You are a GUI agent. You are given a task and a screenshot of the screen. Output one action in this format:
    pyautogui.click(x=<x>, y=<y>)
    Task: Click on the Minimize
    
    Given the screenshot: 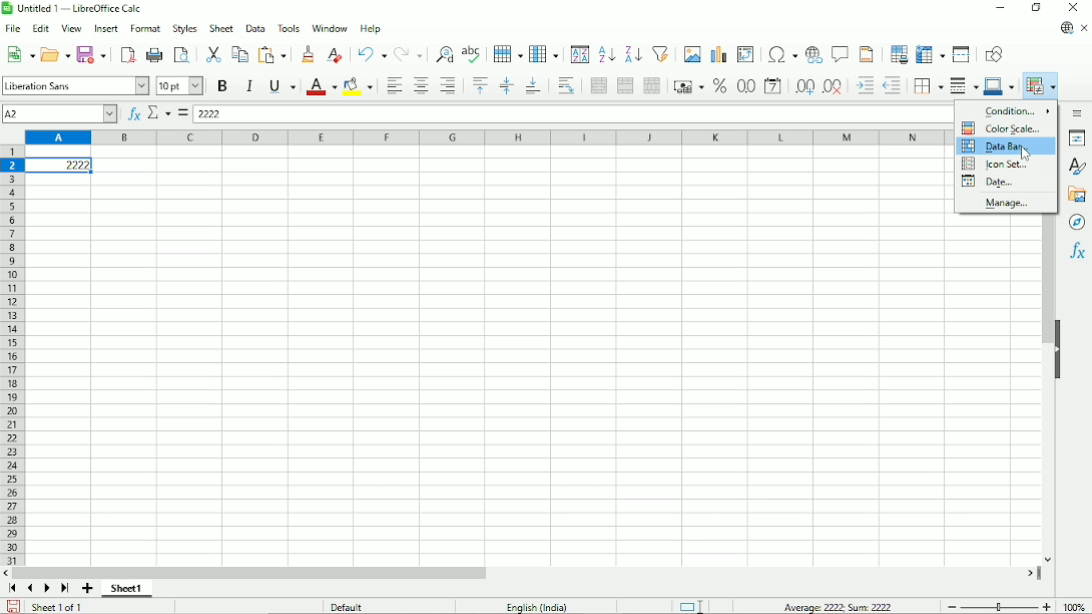 What is the action you would take?
    pyautogui.click(x=999, y=7)
    